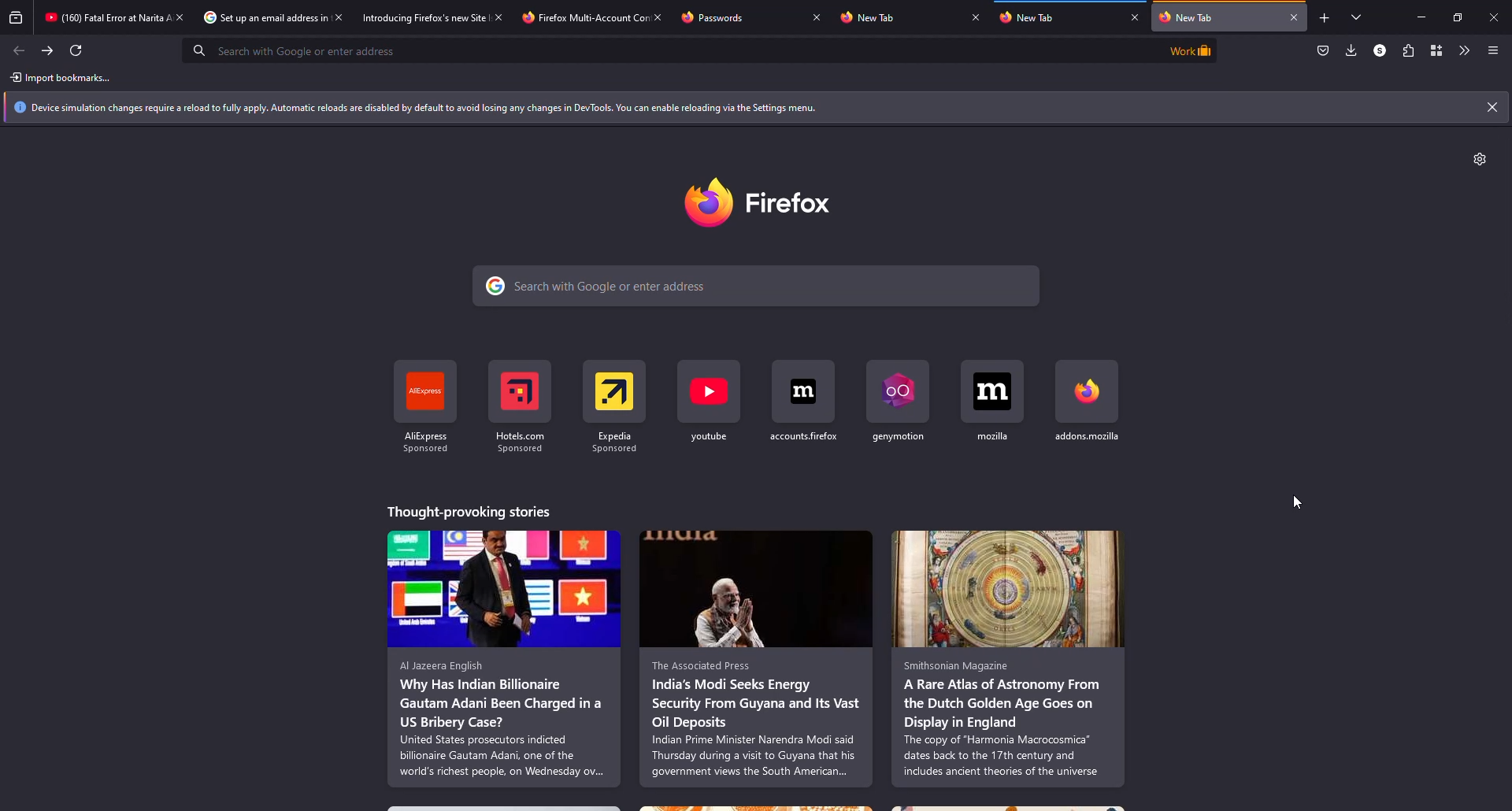 This screenshot has width=1512, height=811. Describe the element at coordinates (505, 719) in the screenshot. I see `Preview of story text` at that location.